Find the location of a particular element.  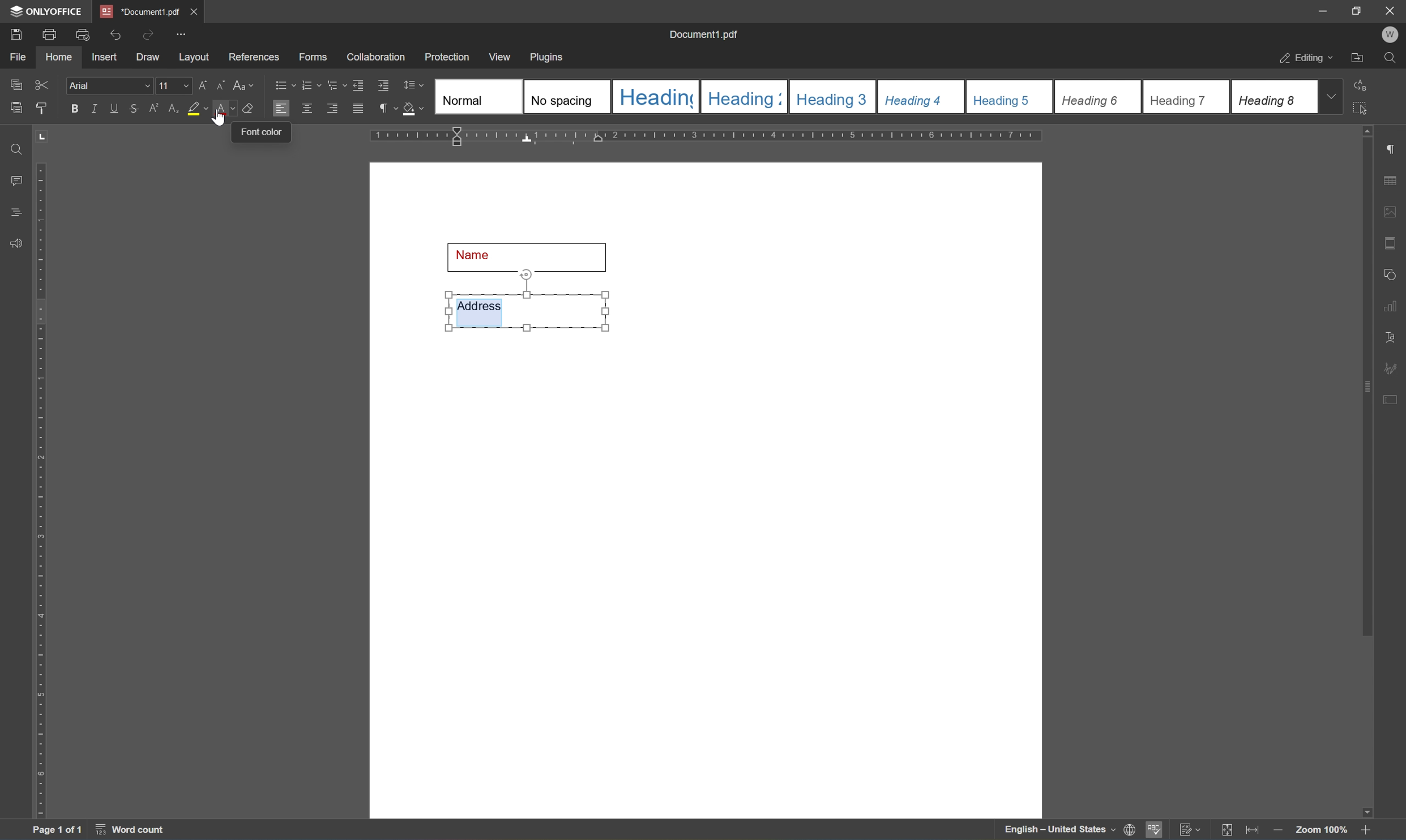

highlight color is located at coordinates (197, 109).